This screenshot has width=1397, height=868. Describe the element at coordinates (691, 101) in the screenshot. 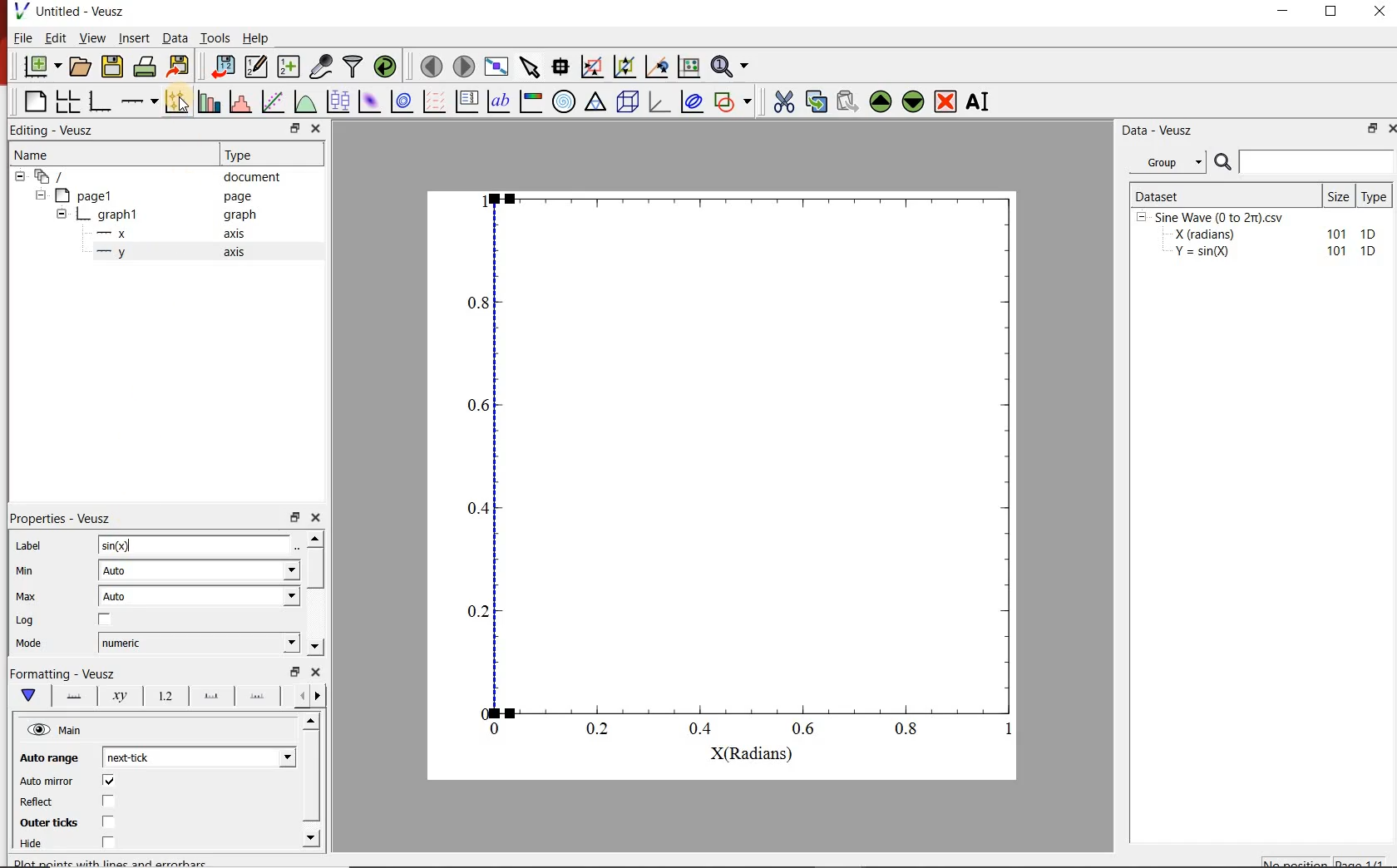

I see `plot covariance ellipses` at that location.